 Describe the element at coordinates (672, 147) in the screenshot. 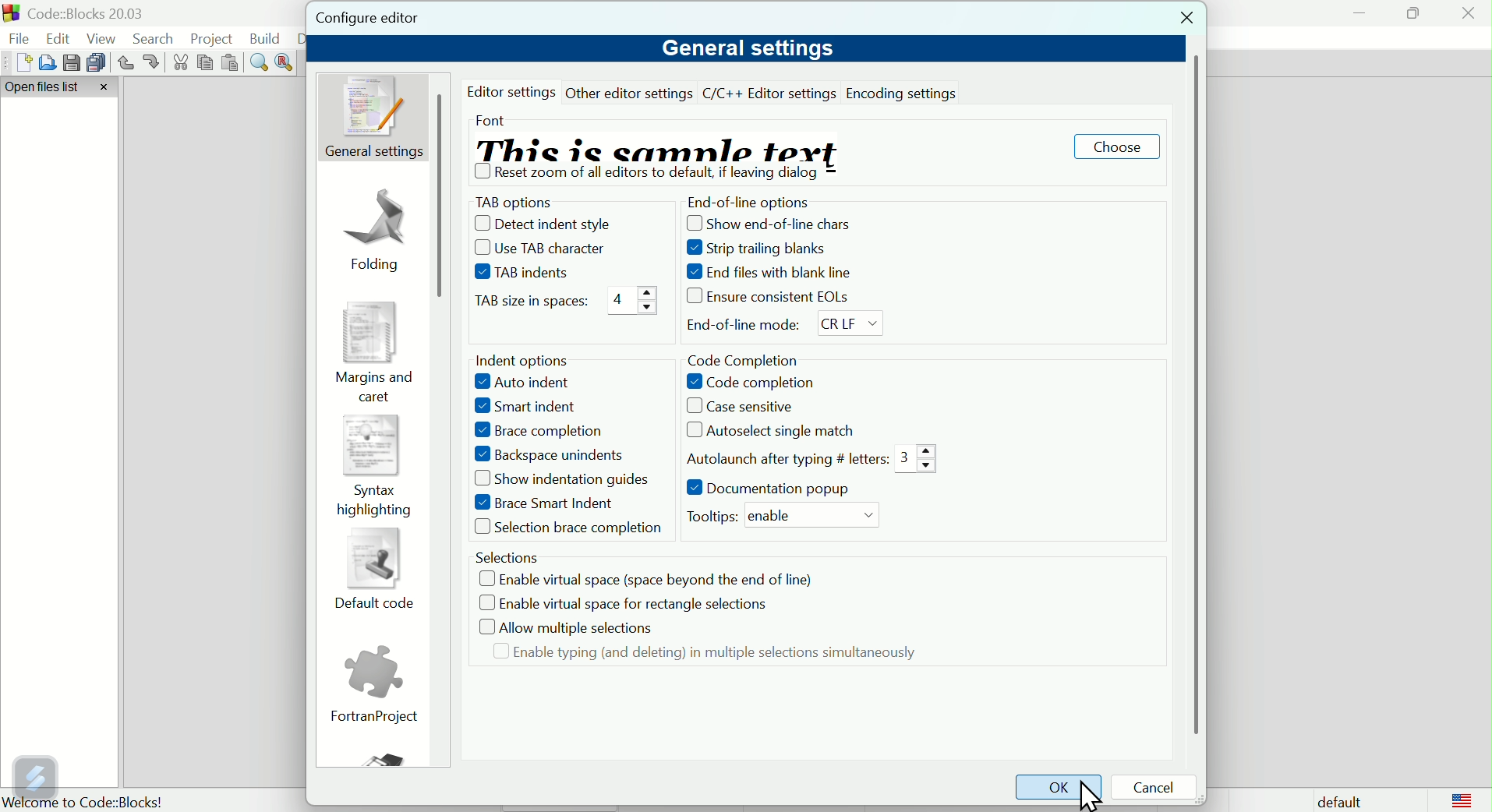

I see `This is sample text` at that location.